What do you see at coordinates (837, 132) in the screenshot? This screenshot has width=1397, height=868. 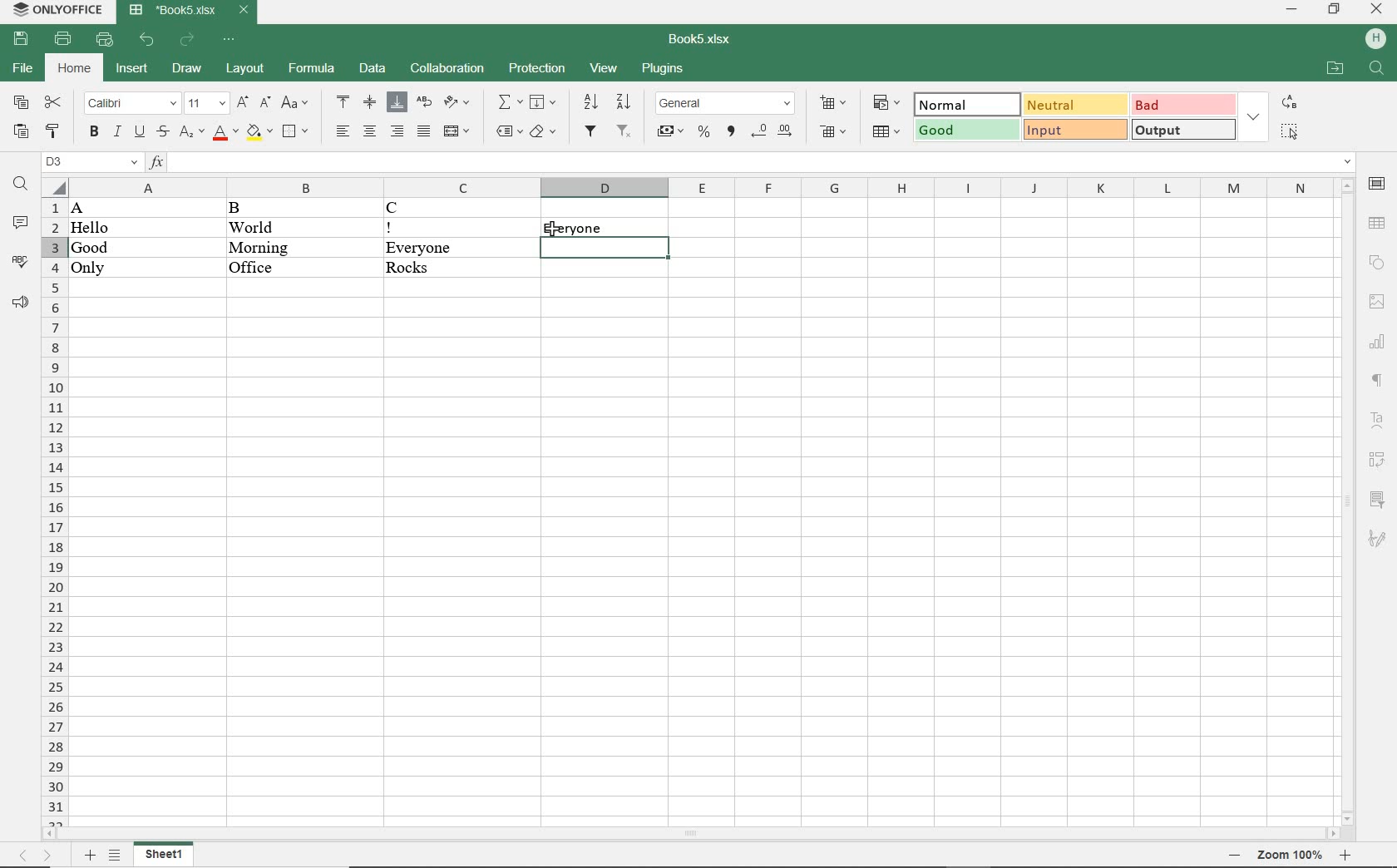 I see `delete cells` at bounding box center [837, 132].